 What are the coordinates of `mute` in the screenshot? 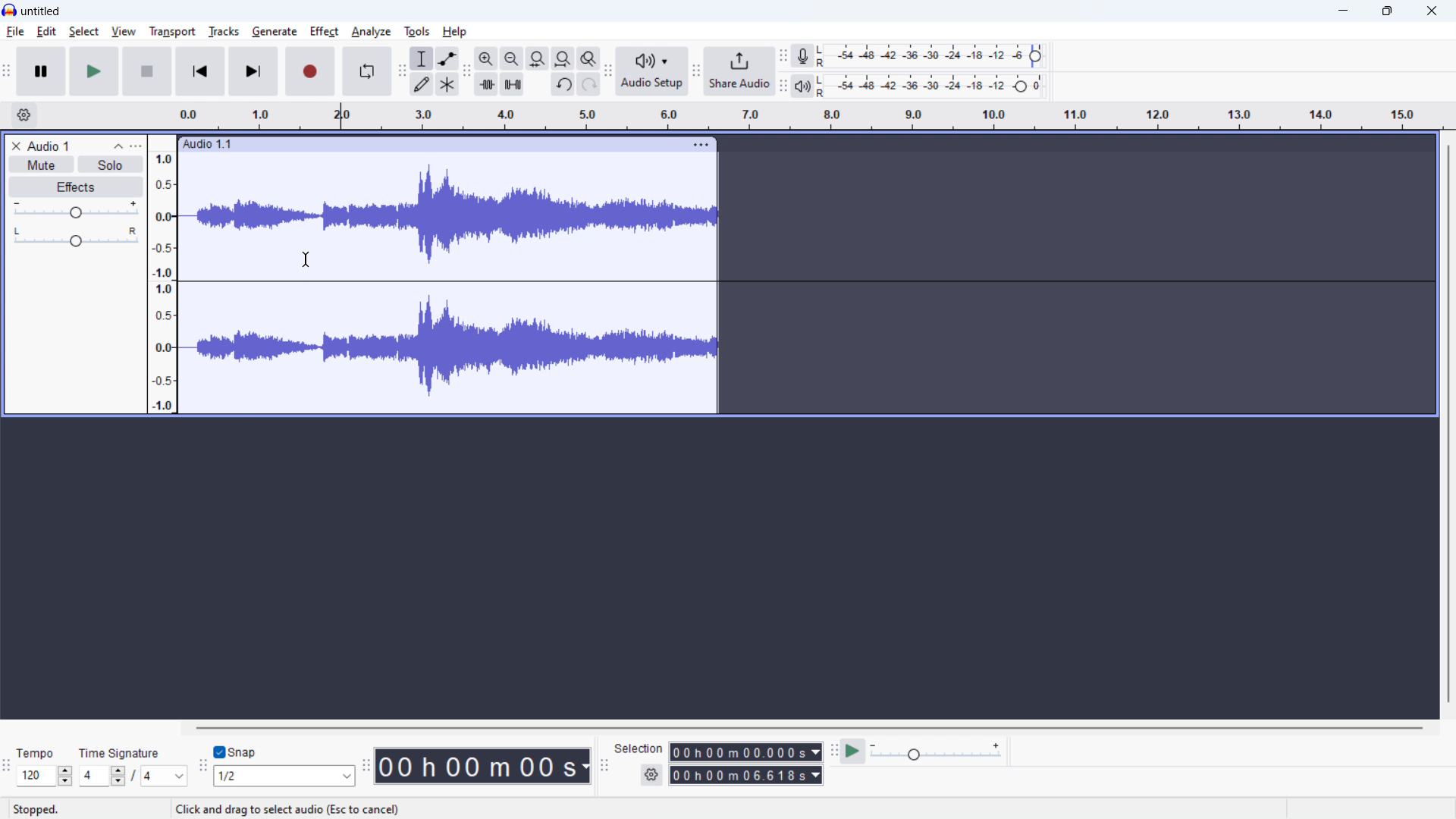 It's located at (42, 165).